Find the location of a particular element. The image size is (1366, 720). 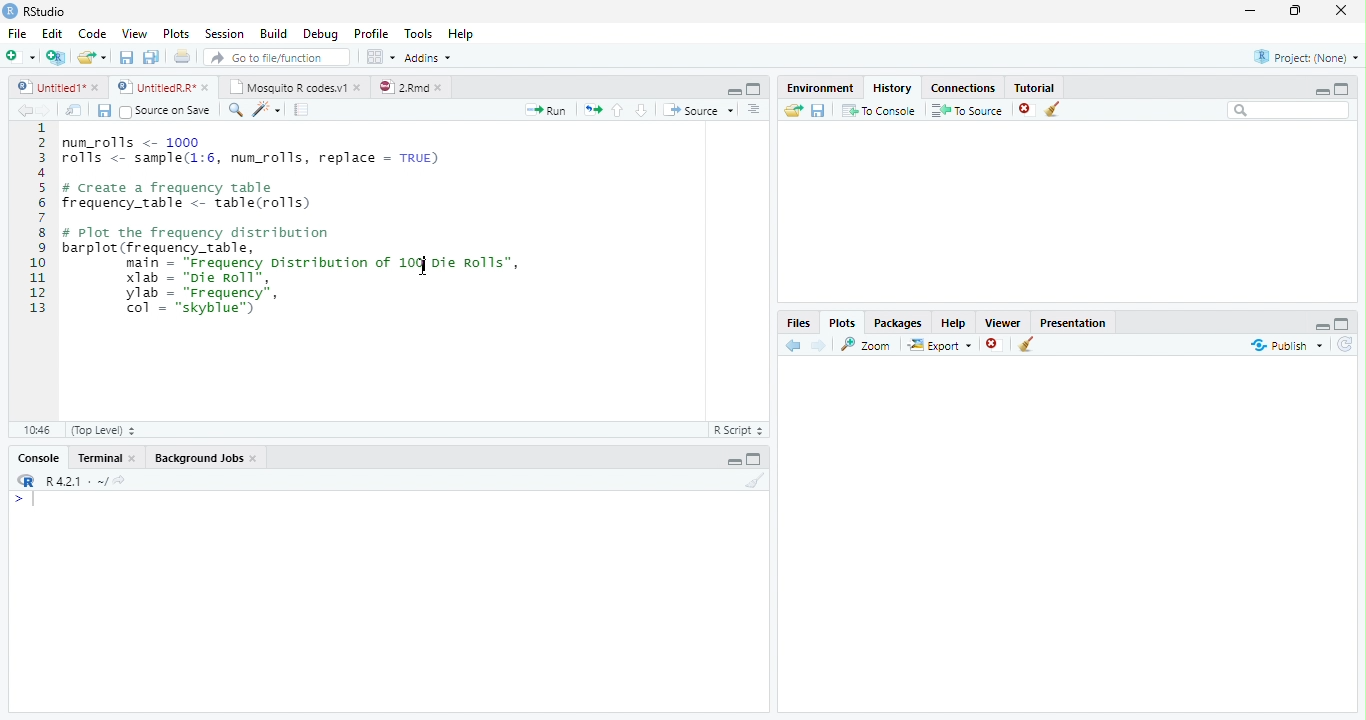

Zoom is located at coordinates (868, 345).